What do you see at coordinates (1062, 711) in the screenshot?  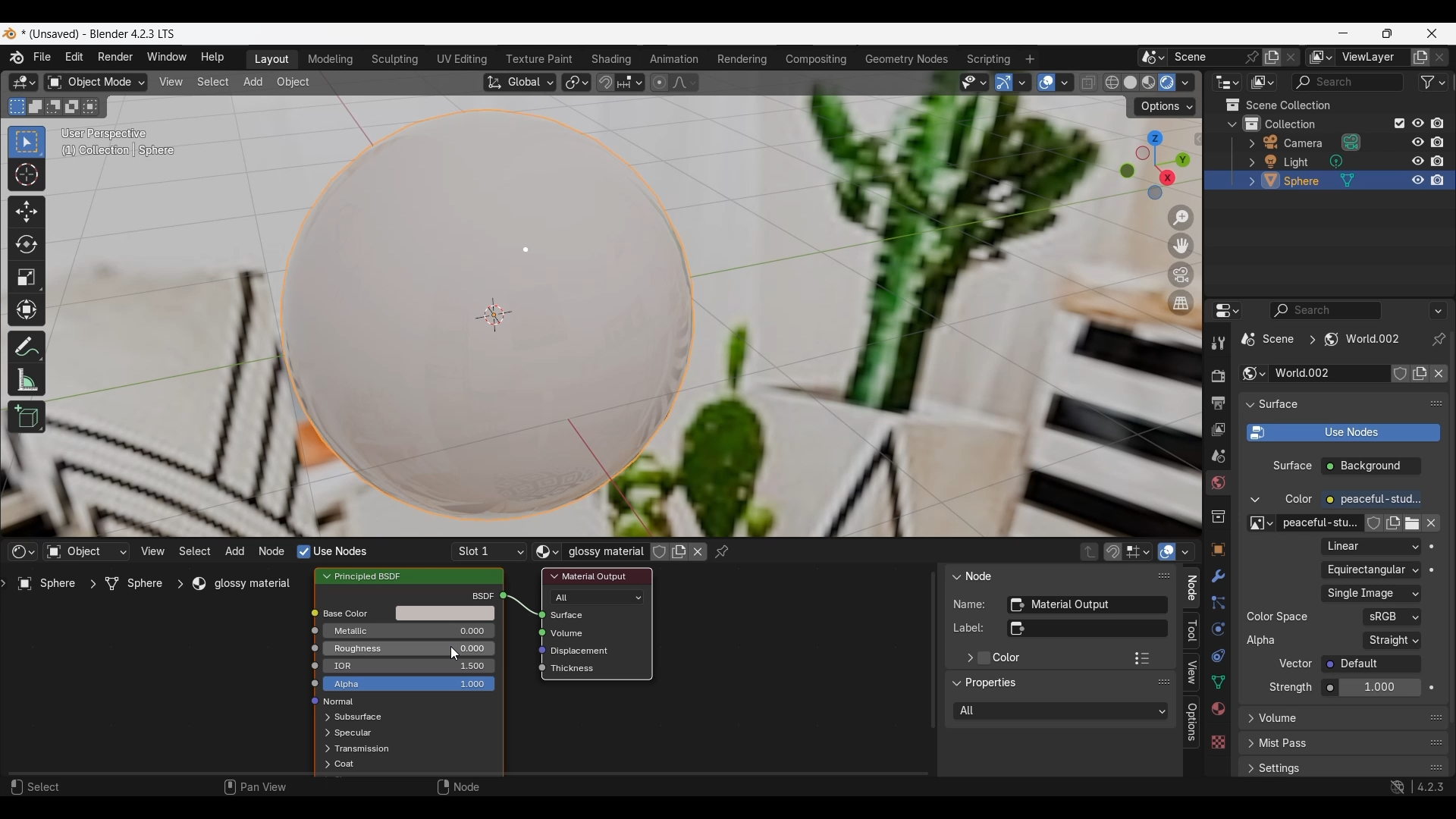 I see `Rendered and viewport shading types to use the shades for` at bounding box center [1062, 711].